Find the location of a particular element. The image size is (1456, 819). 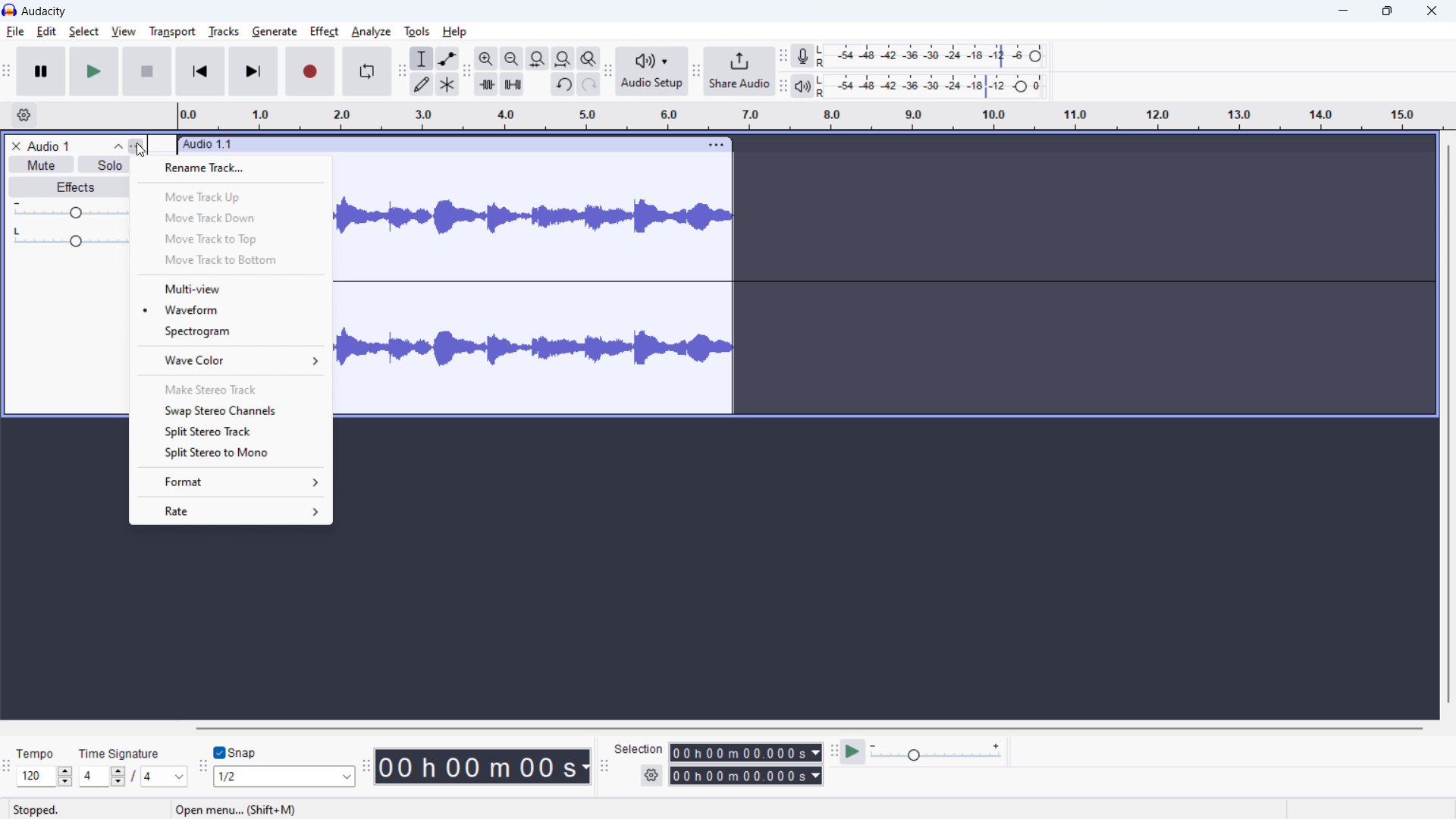

share audio toolbar is located at coordinates (696, 71).